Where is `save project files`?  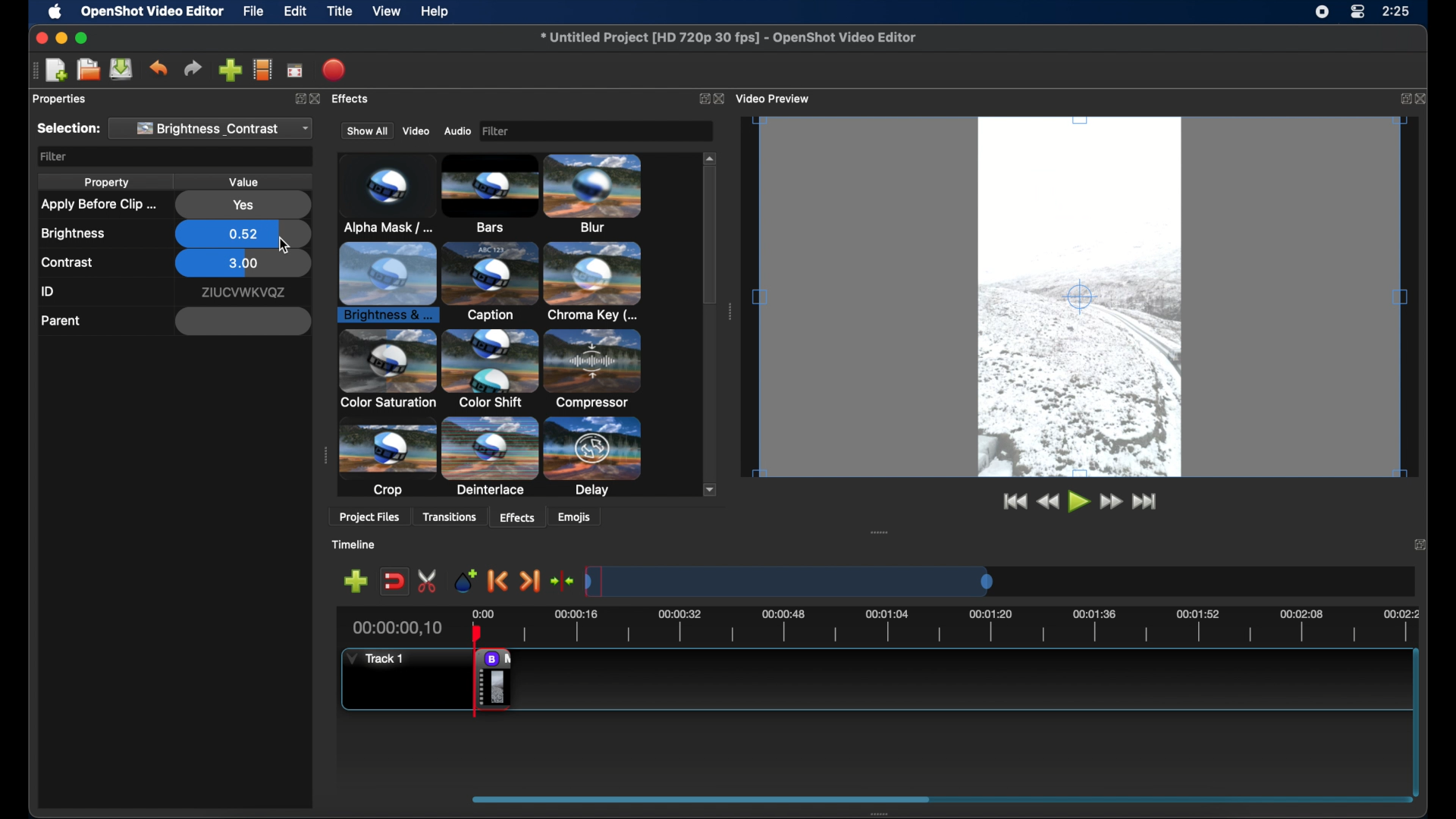
save project files is located at coordinates (121, 69).